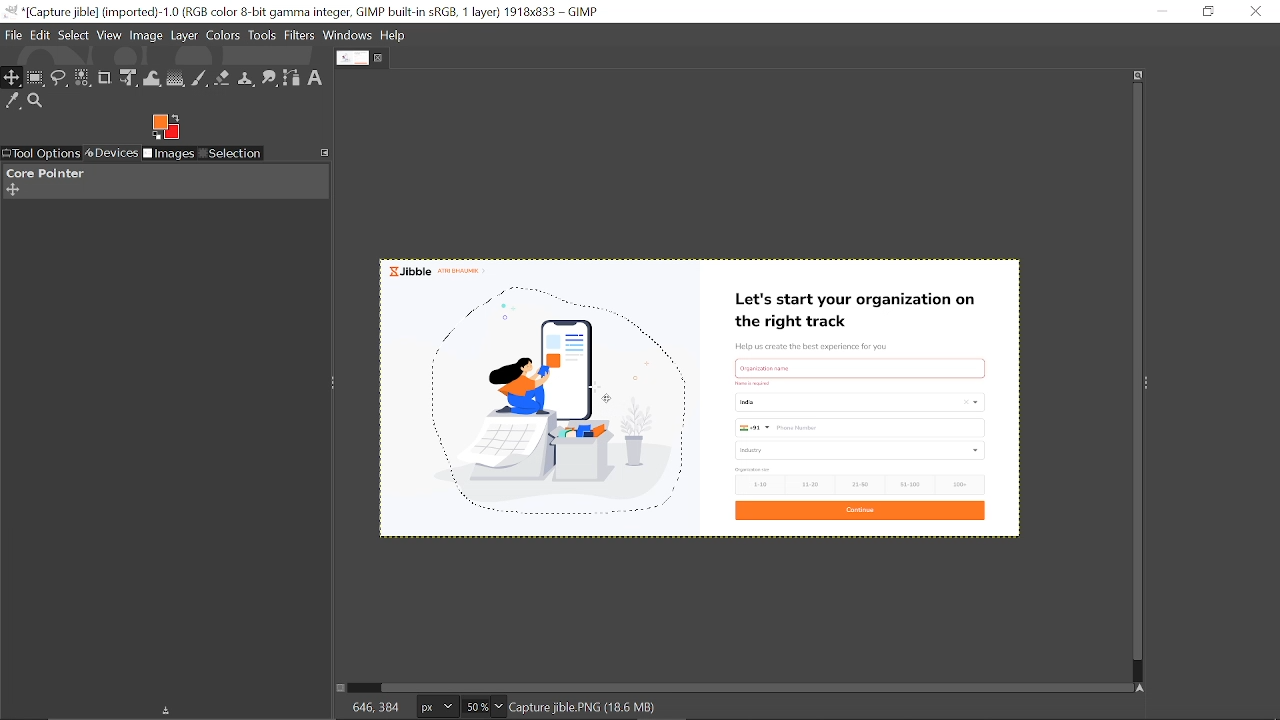 The image size is (1280, 720). I want to click on Wrap text tool, so click(153, 79).